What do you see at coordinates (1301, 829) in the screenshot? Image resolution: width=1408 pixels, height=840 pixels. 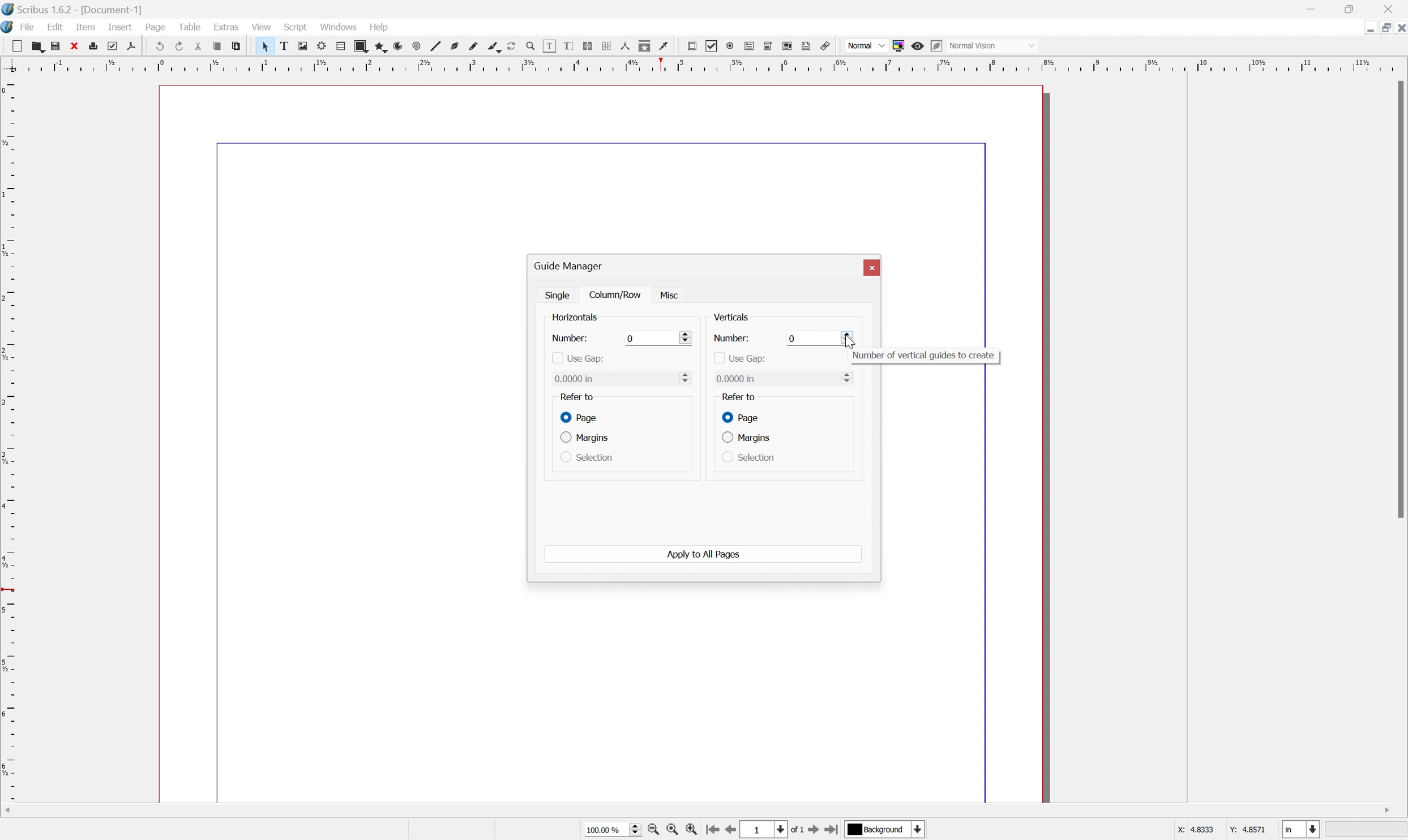 I see `select current unit` at bounding box center [1301, 829].